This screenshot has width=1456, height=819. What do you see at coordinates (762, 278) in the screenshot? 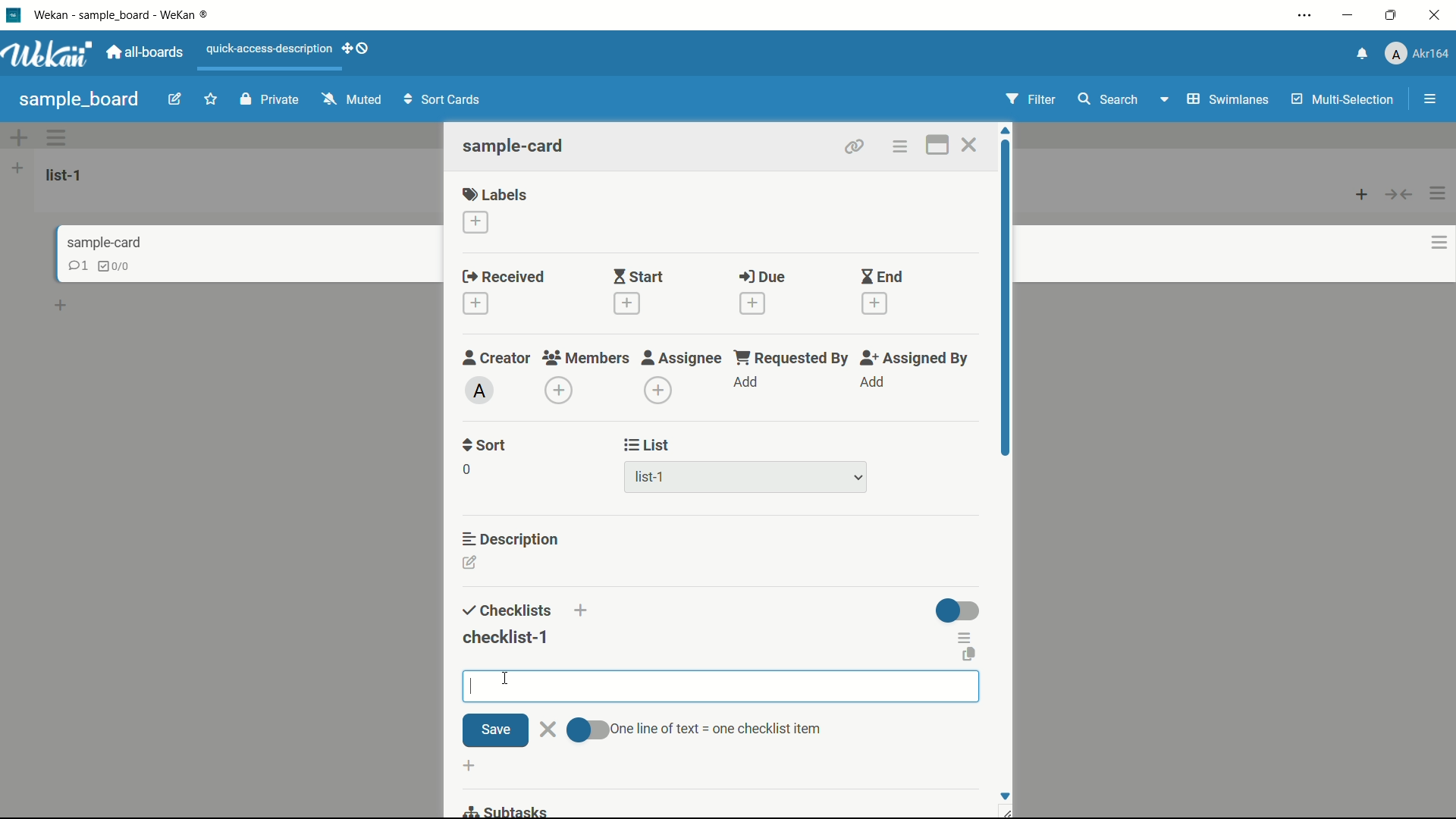
I see `due` at bounding box center [762, 278].